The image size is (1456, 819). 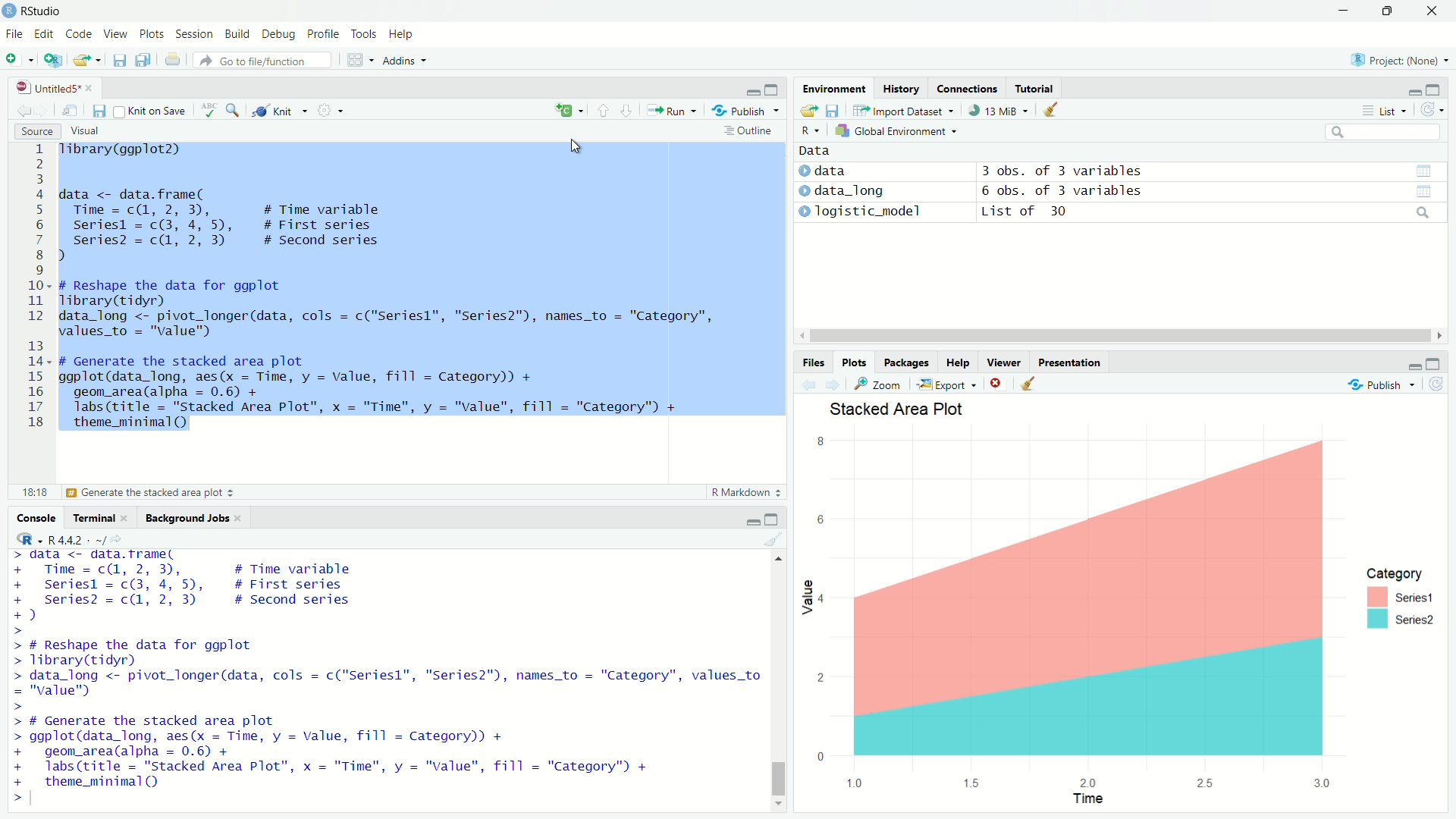 I want to click on clear, so click(x=1053, y=110).